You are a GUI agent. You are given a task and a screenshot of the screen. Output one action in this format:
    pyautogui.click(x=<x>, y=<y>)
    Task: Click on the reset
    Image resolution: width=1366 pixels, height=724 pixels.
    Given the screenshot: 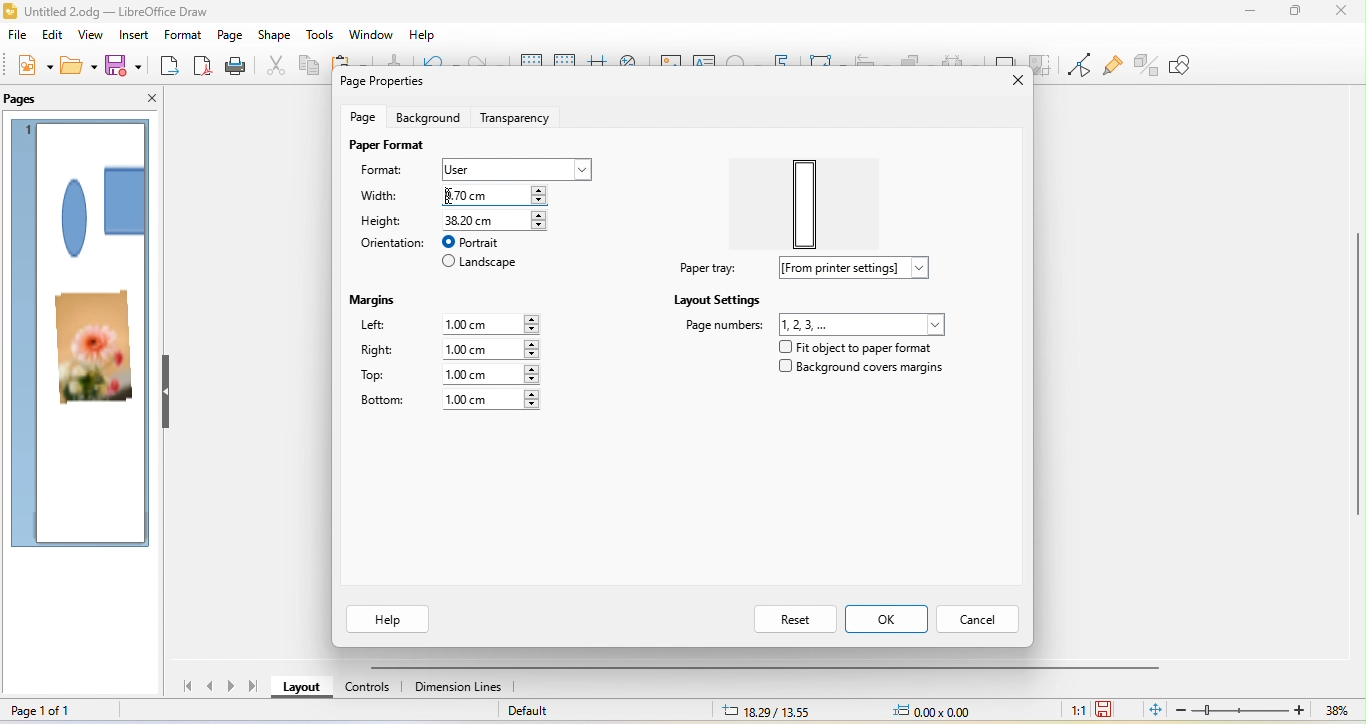 What is the action you would take?
    pyautogui.click(x=795, y=619)
    